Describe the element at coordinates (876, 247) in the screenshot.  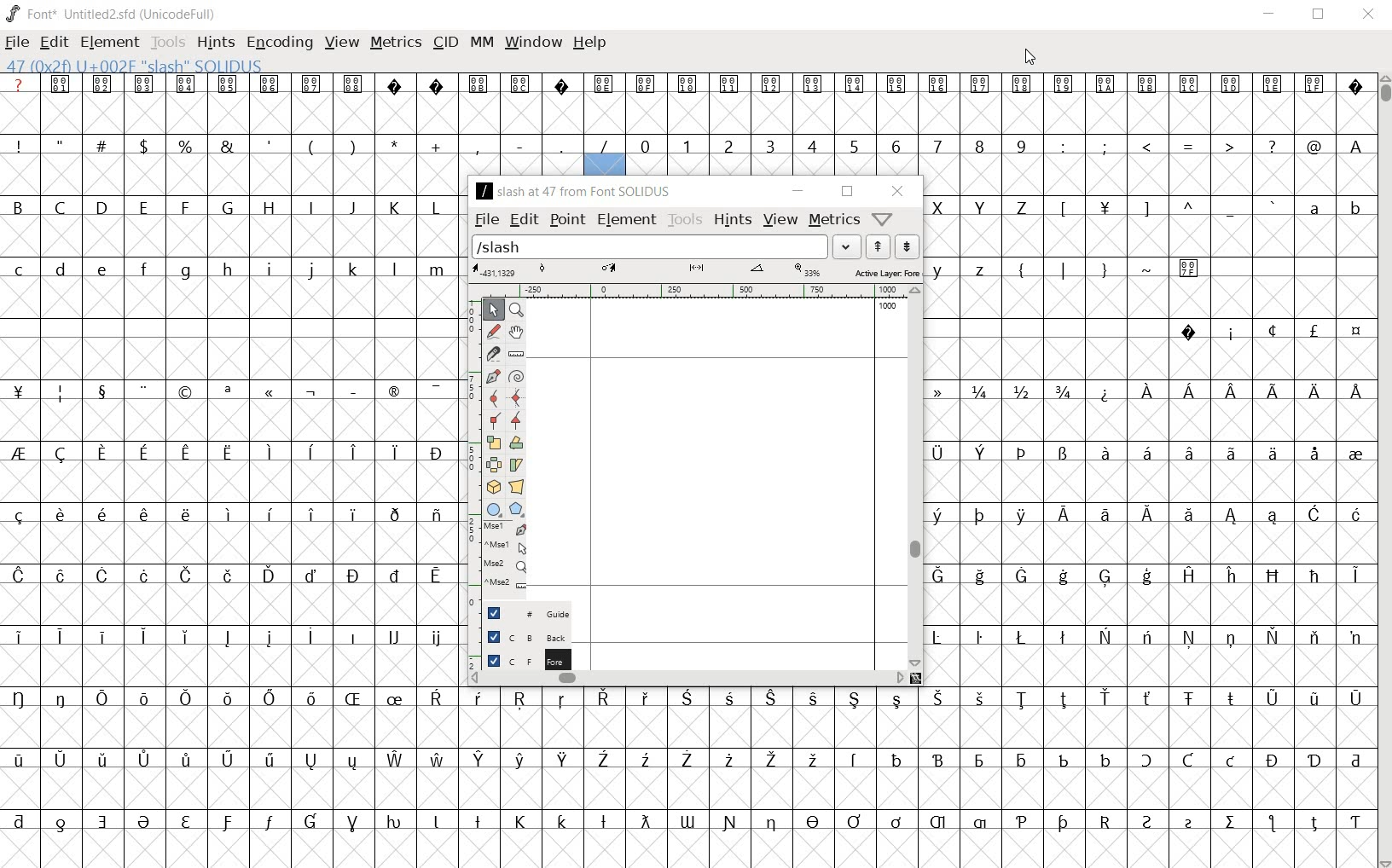
I see `show the next word on the list` at that location.